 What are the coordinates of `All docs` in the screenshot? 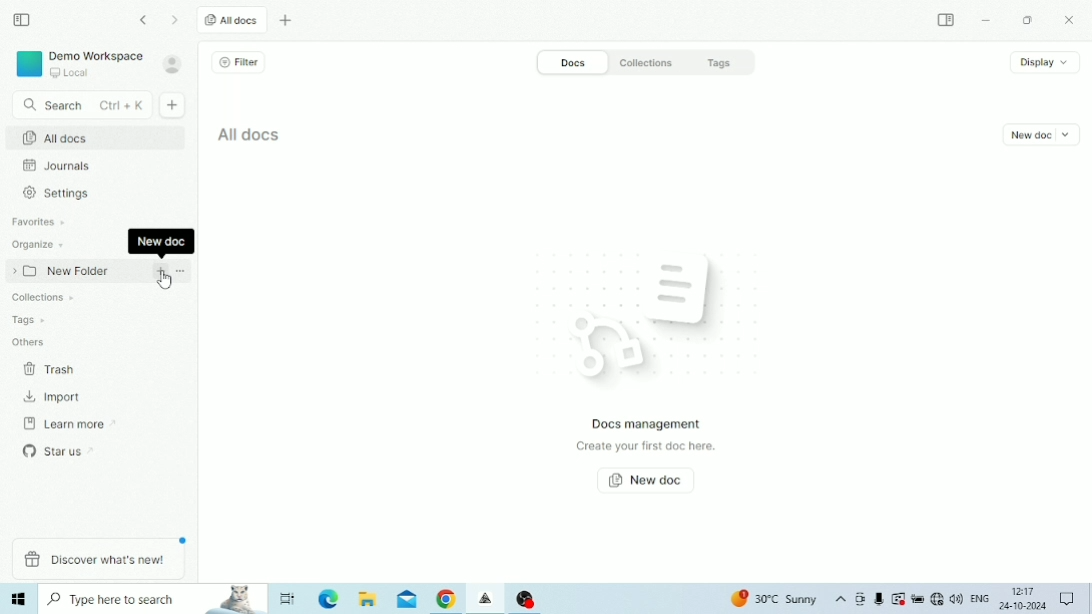 It's located at (233, 20).